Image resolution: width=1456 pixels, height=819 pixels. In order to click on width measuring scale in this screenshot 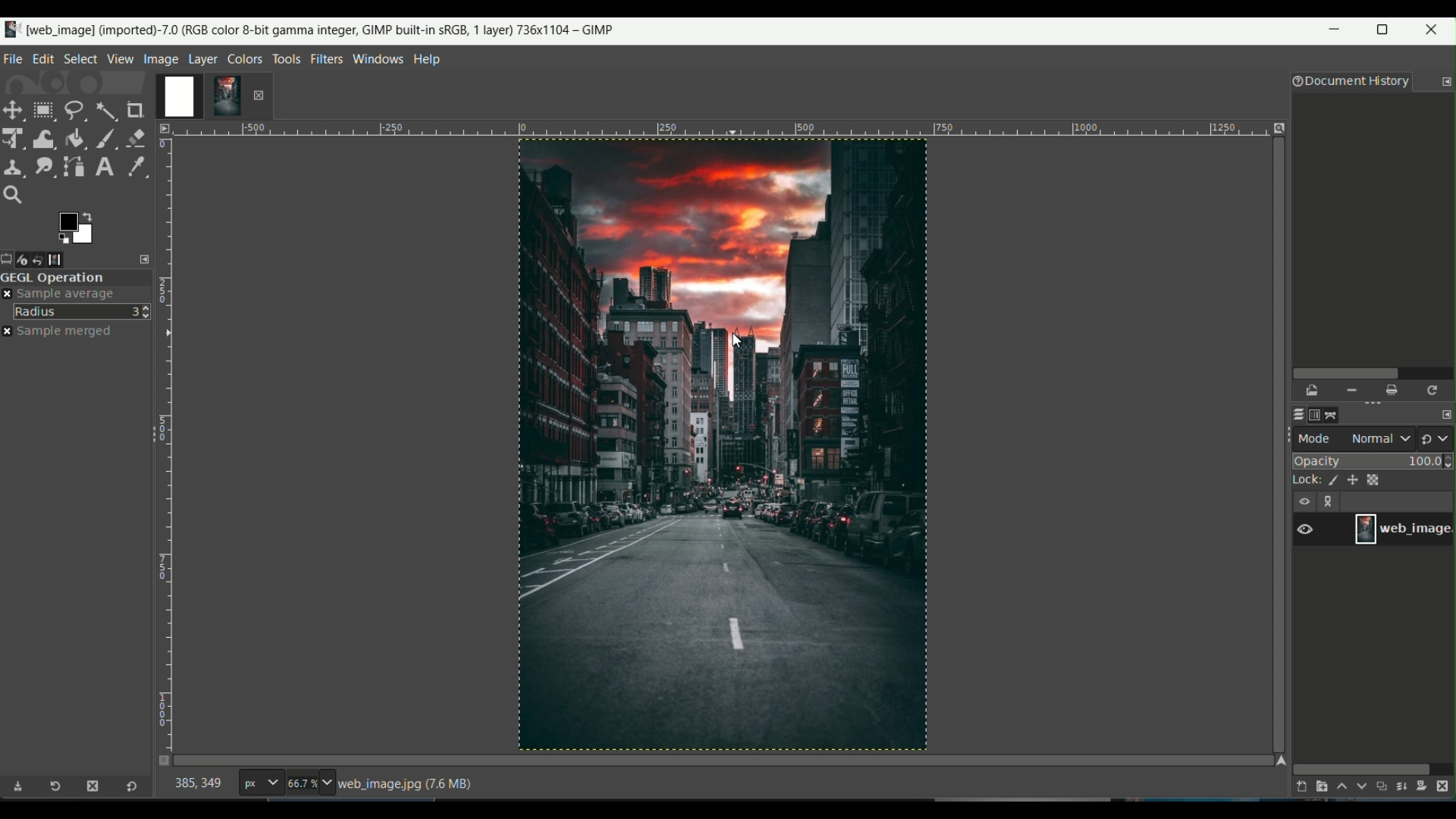, I will do `click(717, 133)`.